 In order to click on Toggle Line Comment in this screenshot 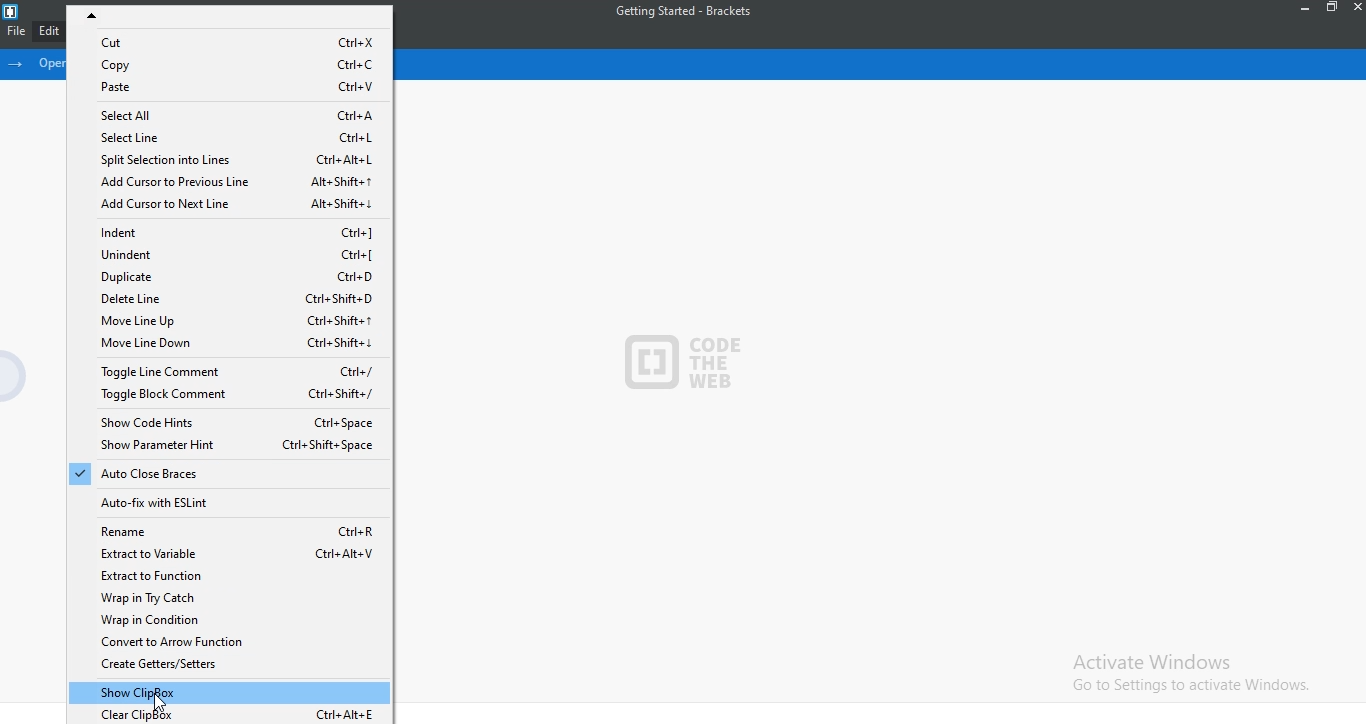, I will do `click(228, 371)`.